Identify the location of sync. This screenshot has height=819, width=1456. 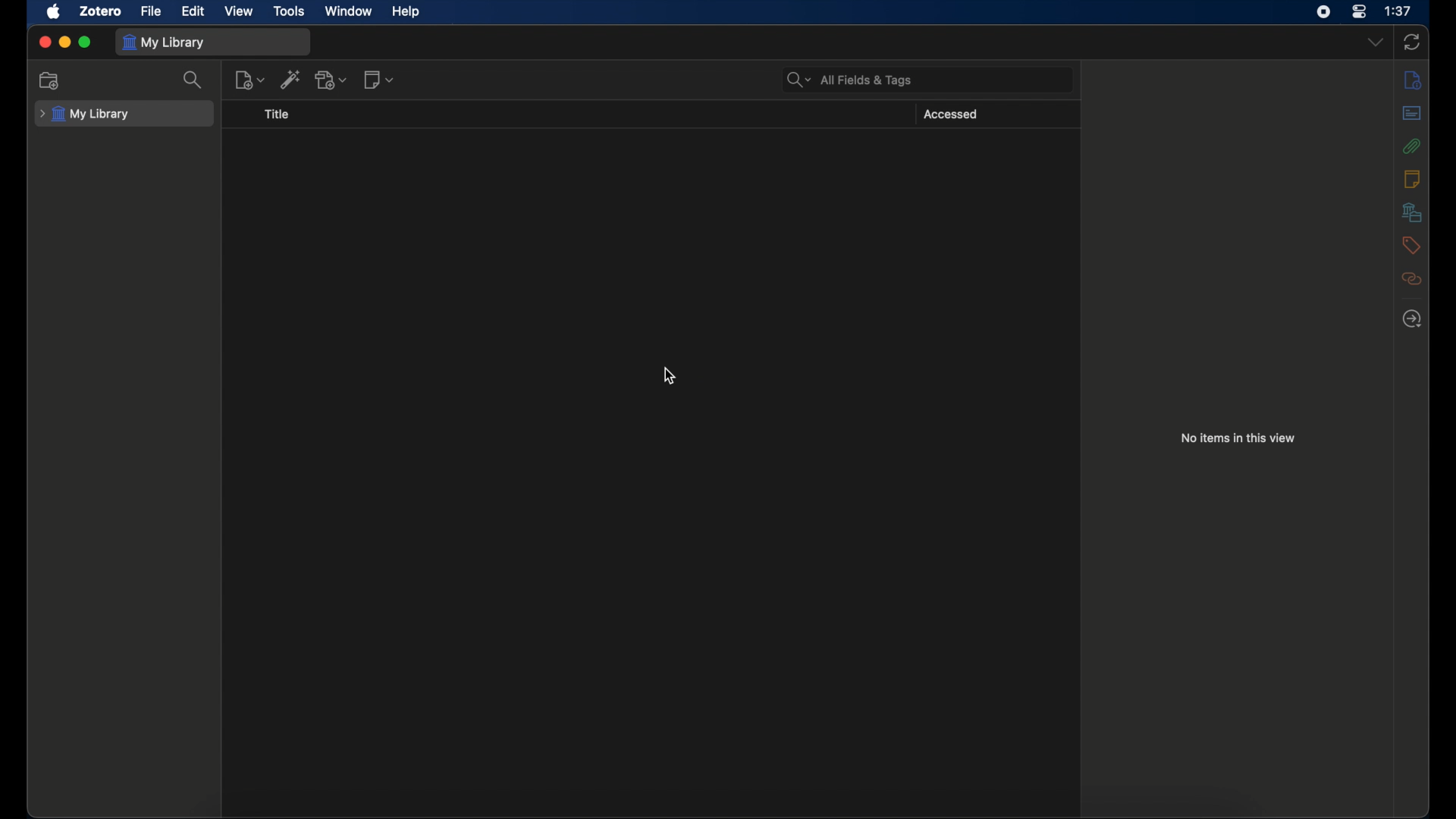
(1412, 42).